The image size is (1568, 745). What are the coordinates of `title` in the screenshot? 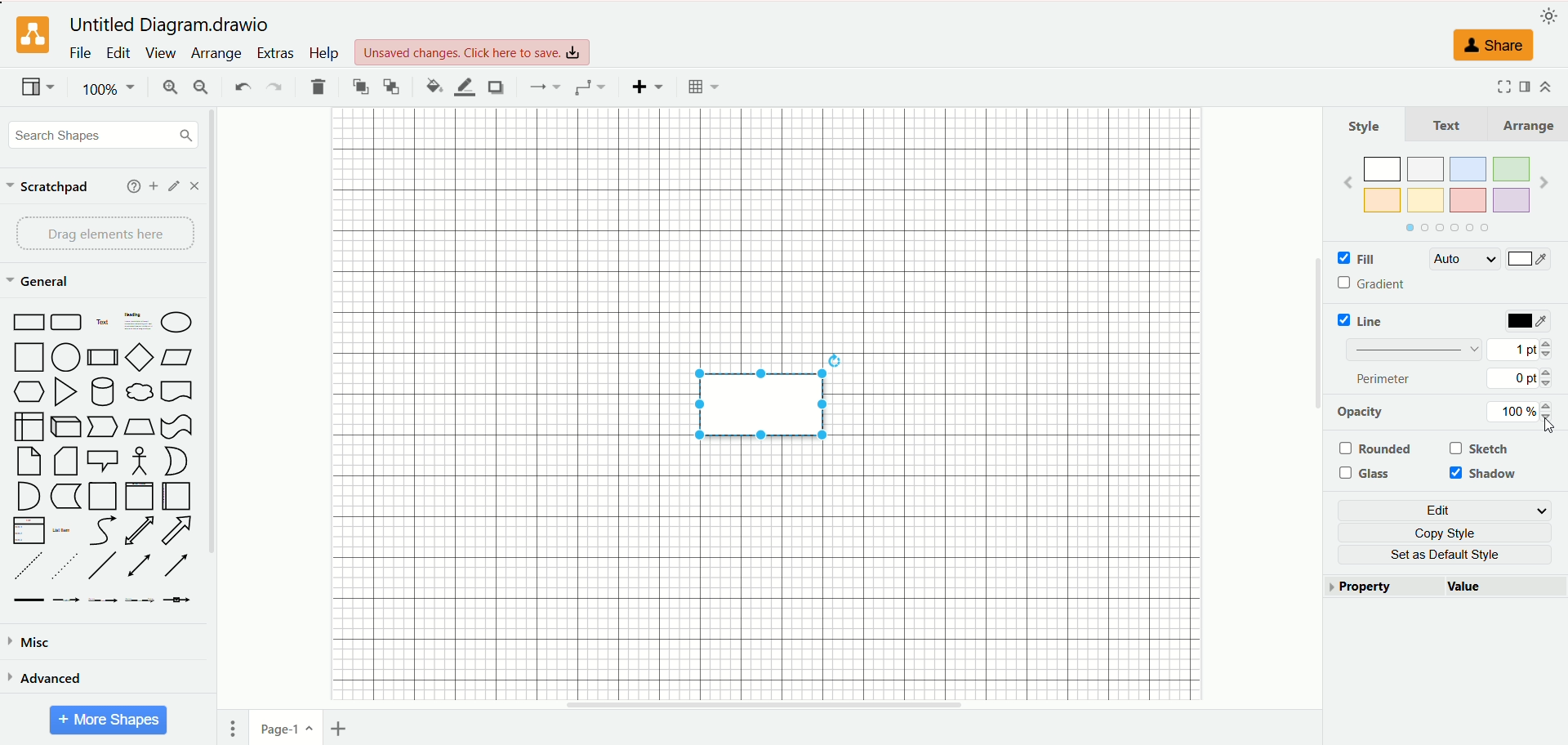 It's located at (173, 25).